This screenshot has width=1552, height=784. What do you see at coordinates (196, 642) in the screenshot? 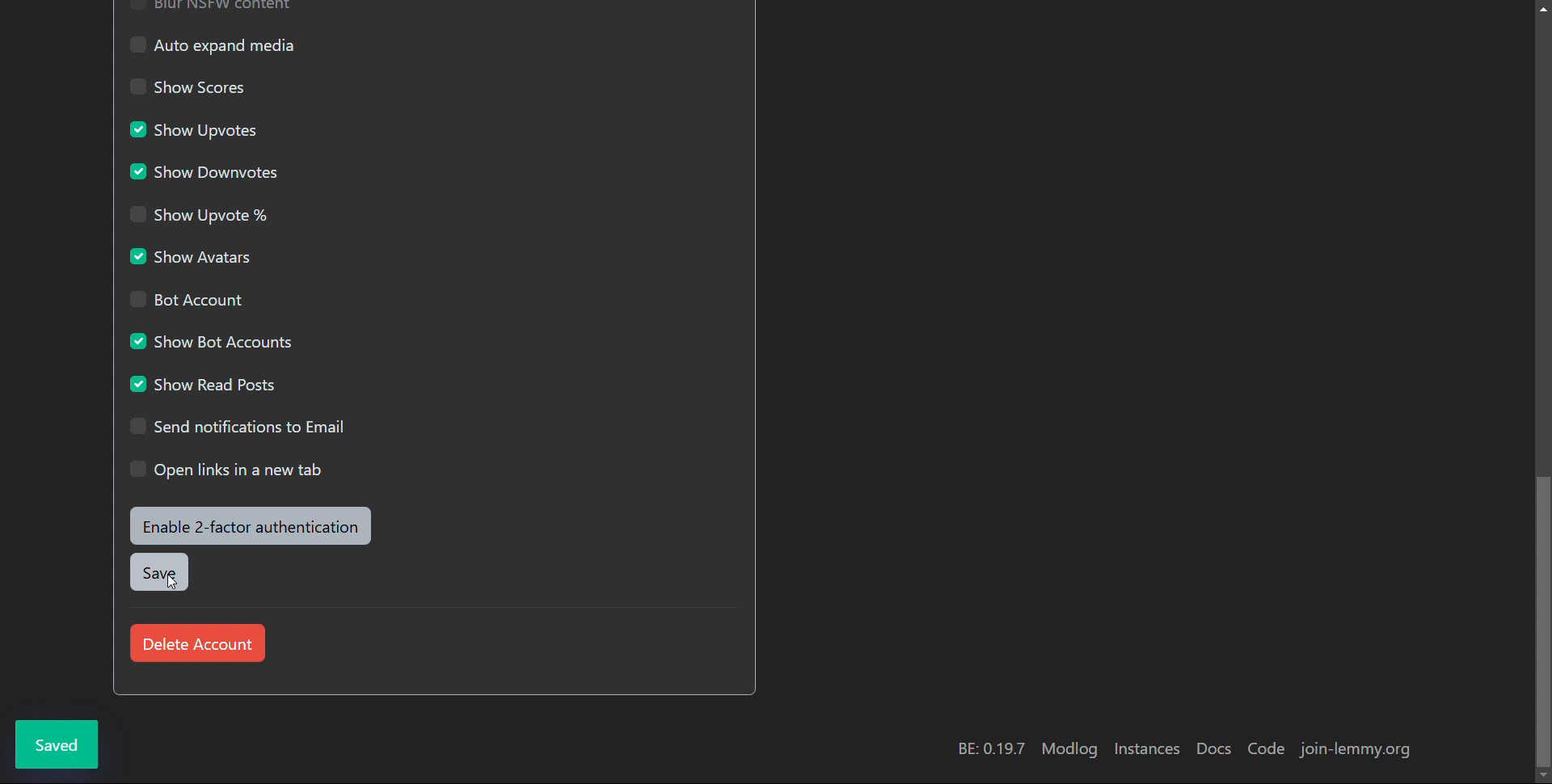
I see `delete account` at bounding box center [196, 642].